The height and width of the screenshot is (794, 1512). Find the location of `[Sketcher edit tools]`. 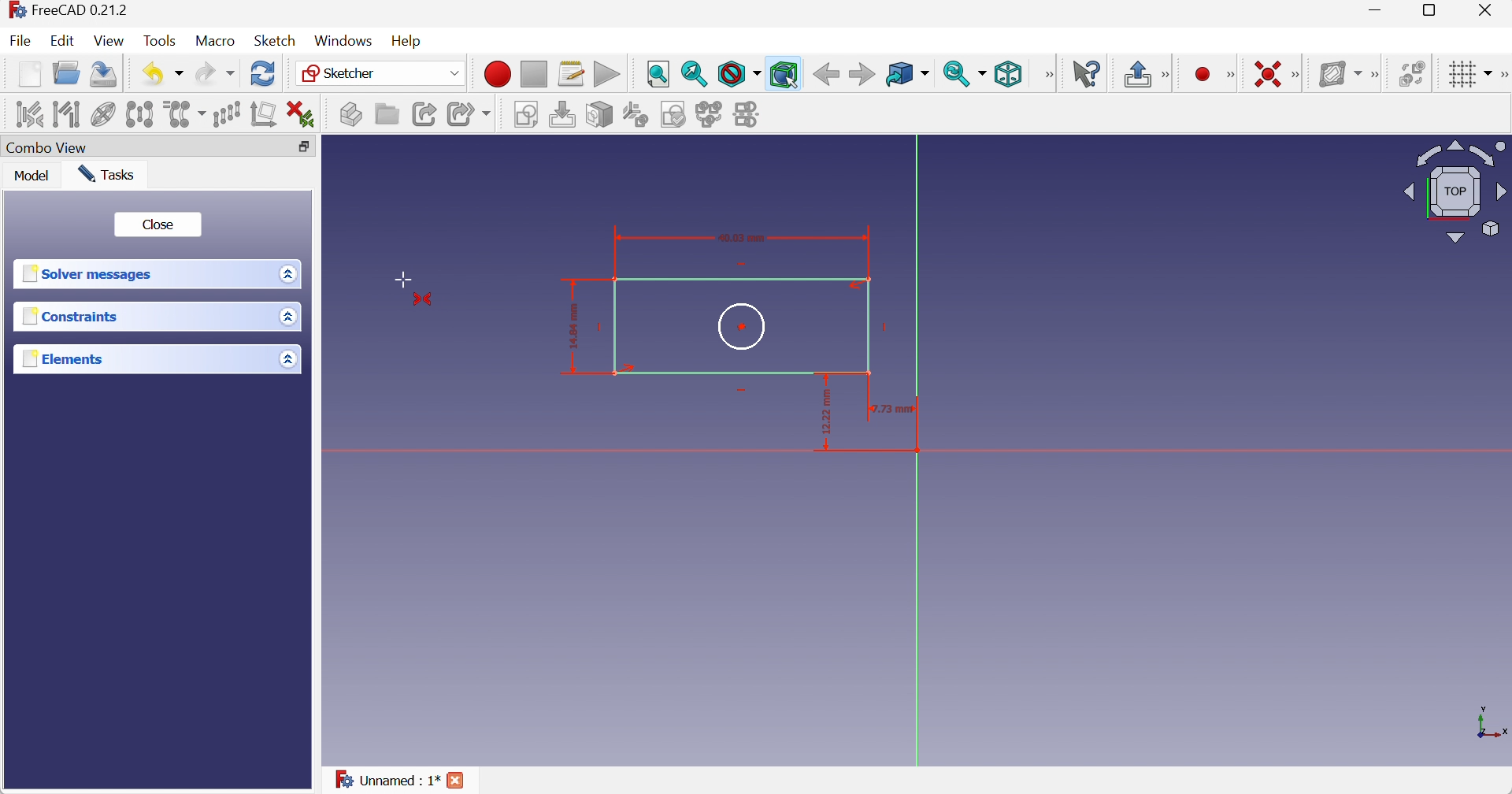

[Sketcher edit tools] is located at coordinates (1503, 75).